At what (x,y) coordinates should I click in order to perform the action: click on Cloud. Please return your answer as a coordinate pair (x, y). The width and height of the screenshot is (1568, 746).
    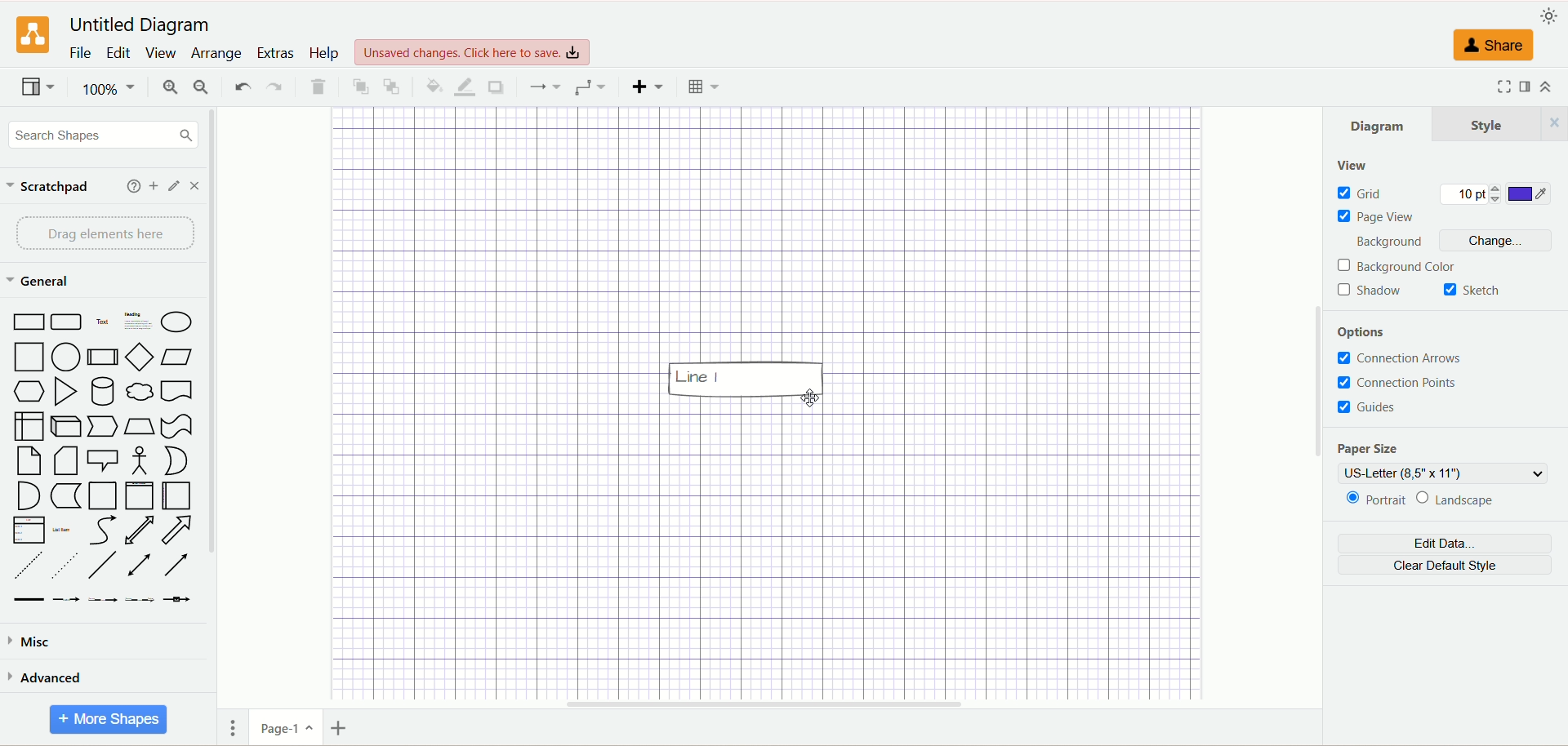
    Looking at the image, I should click on (140, 389).